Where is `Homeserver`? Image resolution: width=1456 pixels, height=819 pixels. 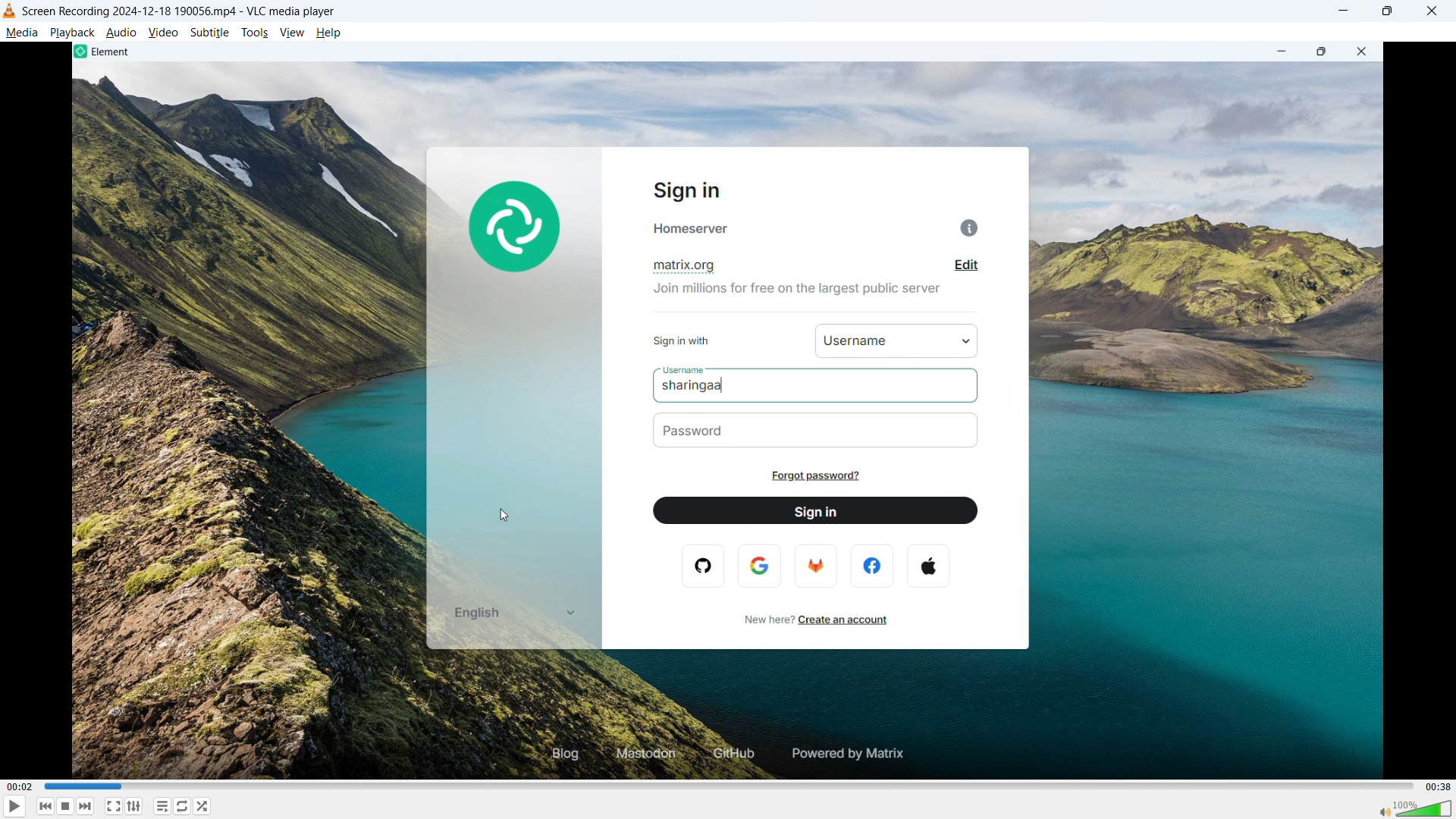
Homeserver is located at coordinates (821, 227).